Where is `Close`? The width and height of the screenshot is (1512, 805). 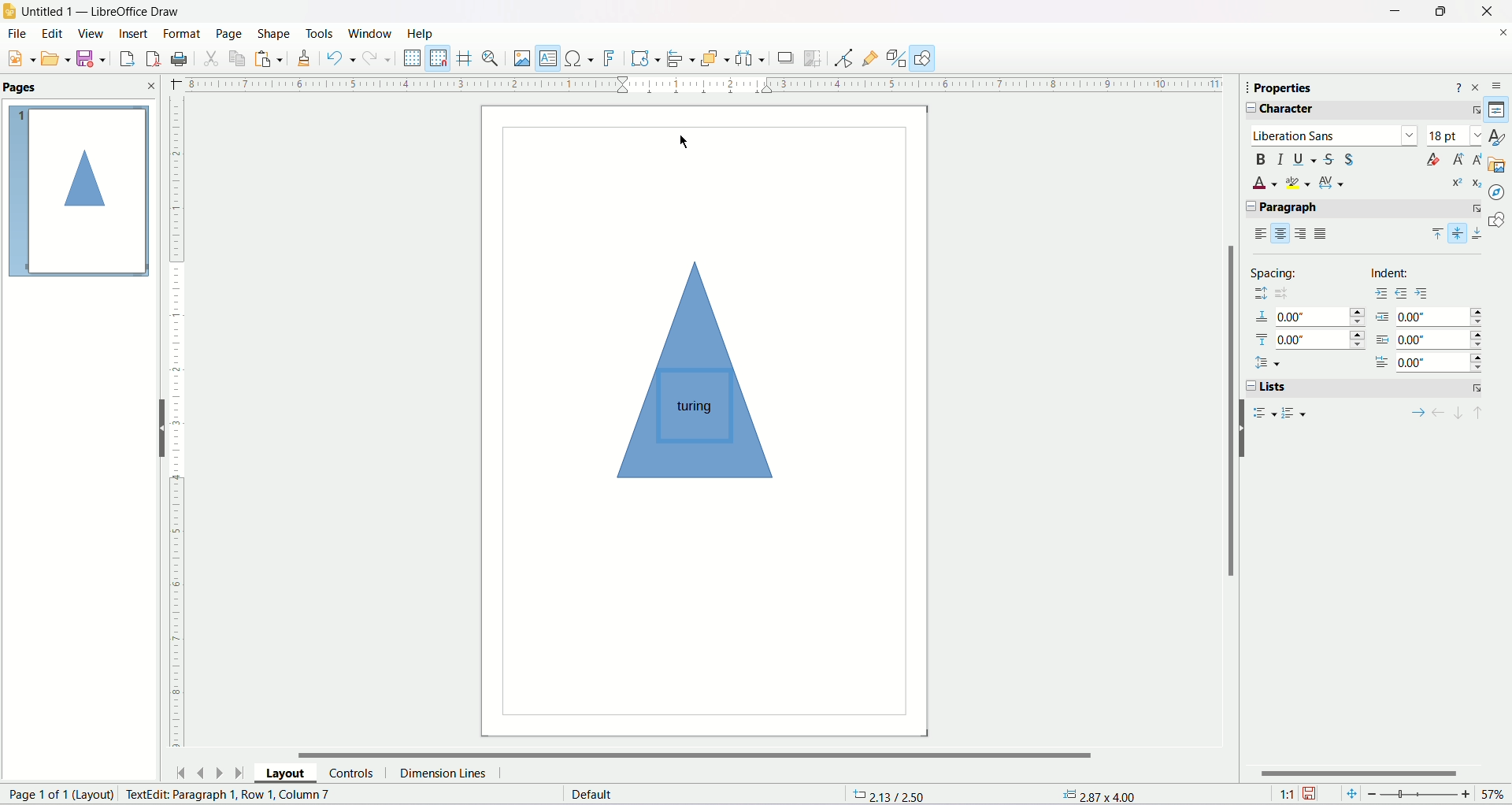 Close is located at coordinates (185, 85).